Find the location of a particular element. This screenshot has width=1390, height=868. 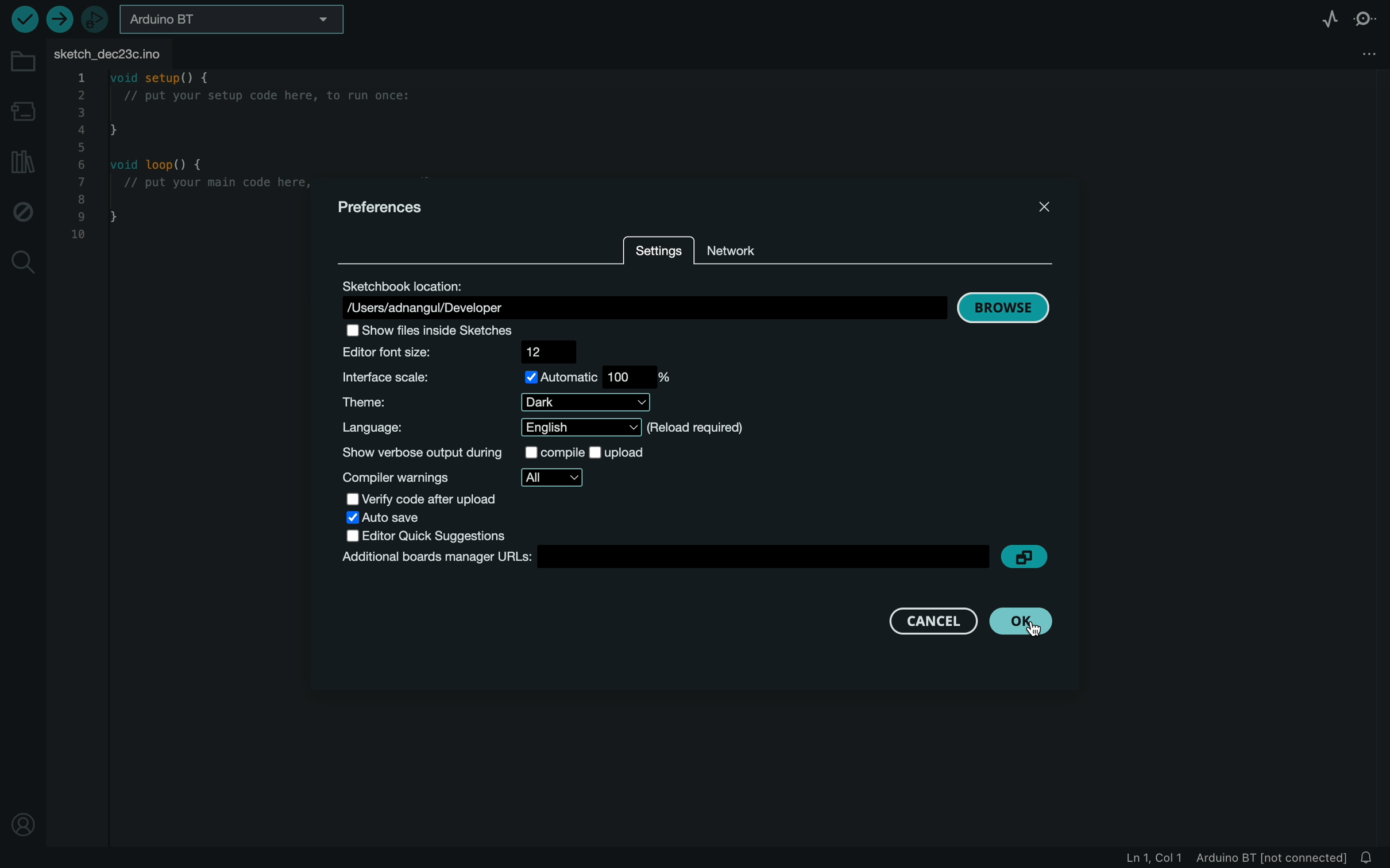

close is located at coordinates (1044, 208).